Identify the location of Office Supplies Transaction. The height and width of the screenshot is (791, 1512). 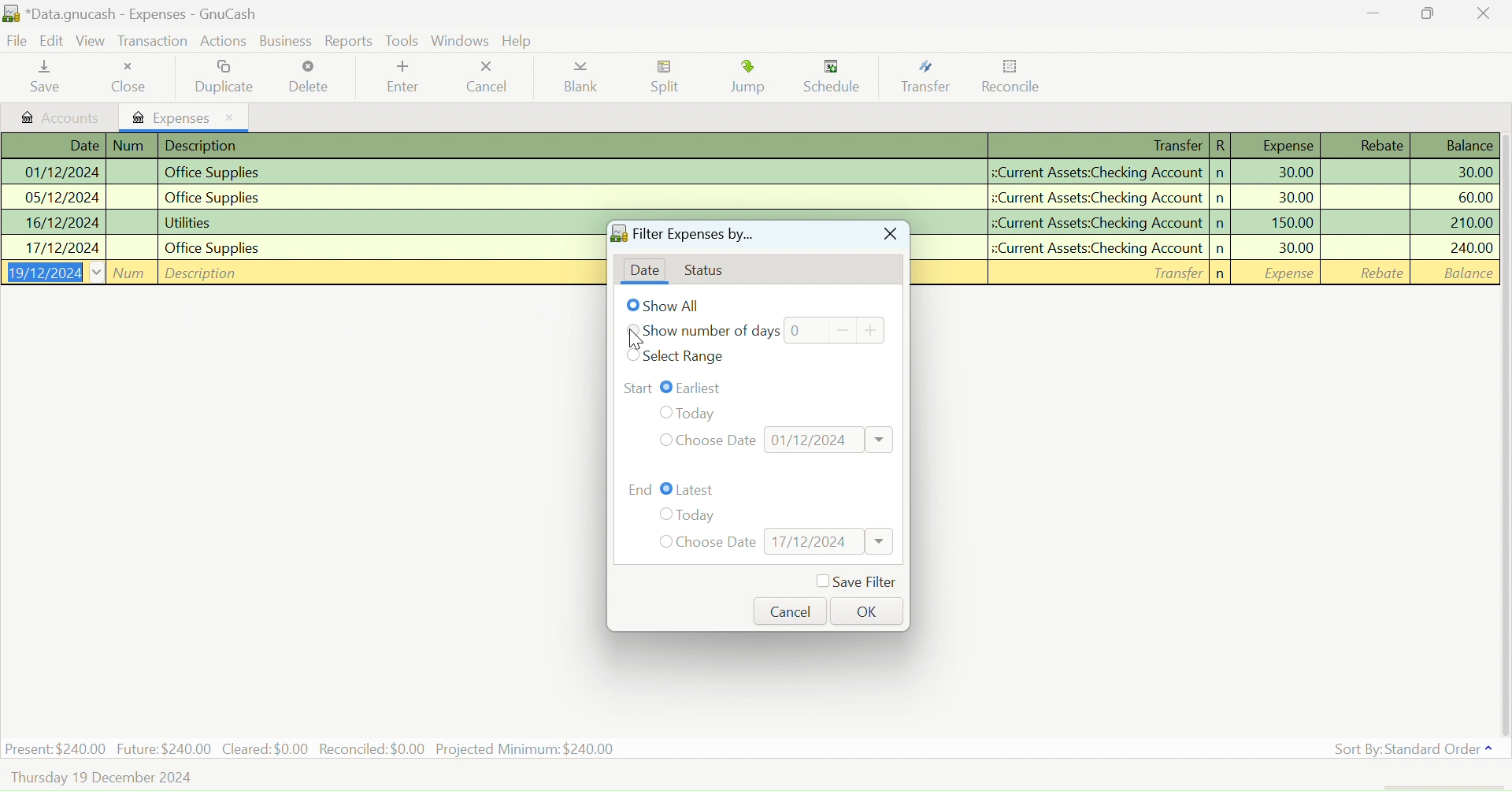
(748, 197).